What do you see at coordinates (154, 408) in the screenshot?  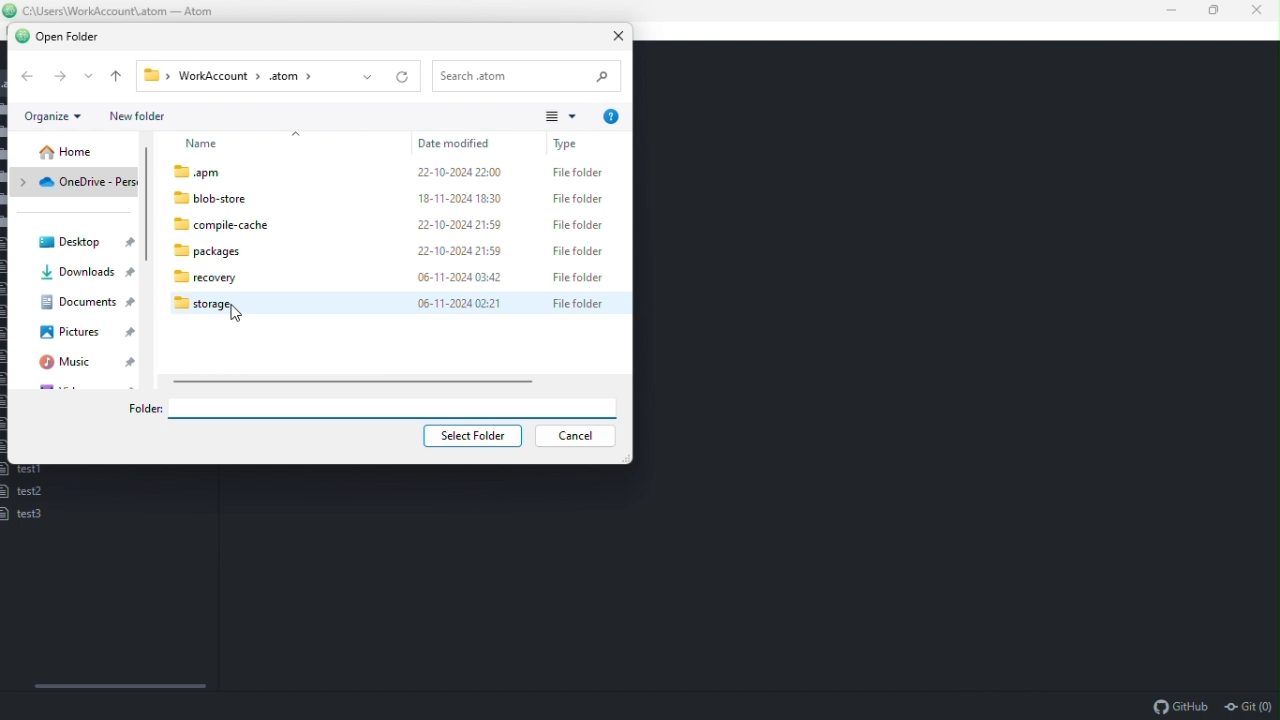 I see `folder` at bounding box center [154, 408].